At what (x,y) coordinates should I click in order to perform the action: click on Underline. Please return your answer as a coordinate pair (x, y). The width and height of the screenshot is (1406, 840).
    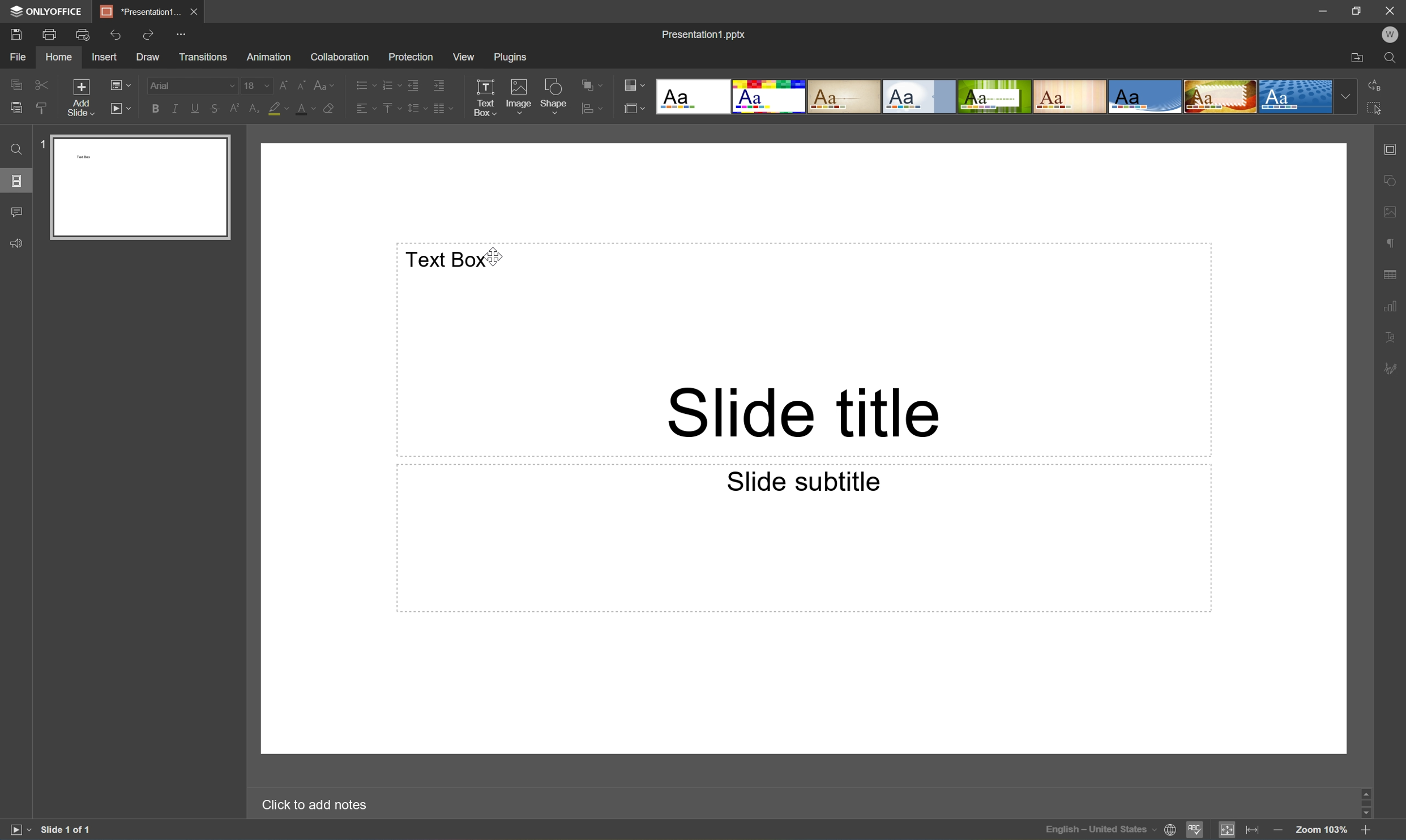
    Looking at the image, I should click on (193, 109).